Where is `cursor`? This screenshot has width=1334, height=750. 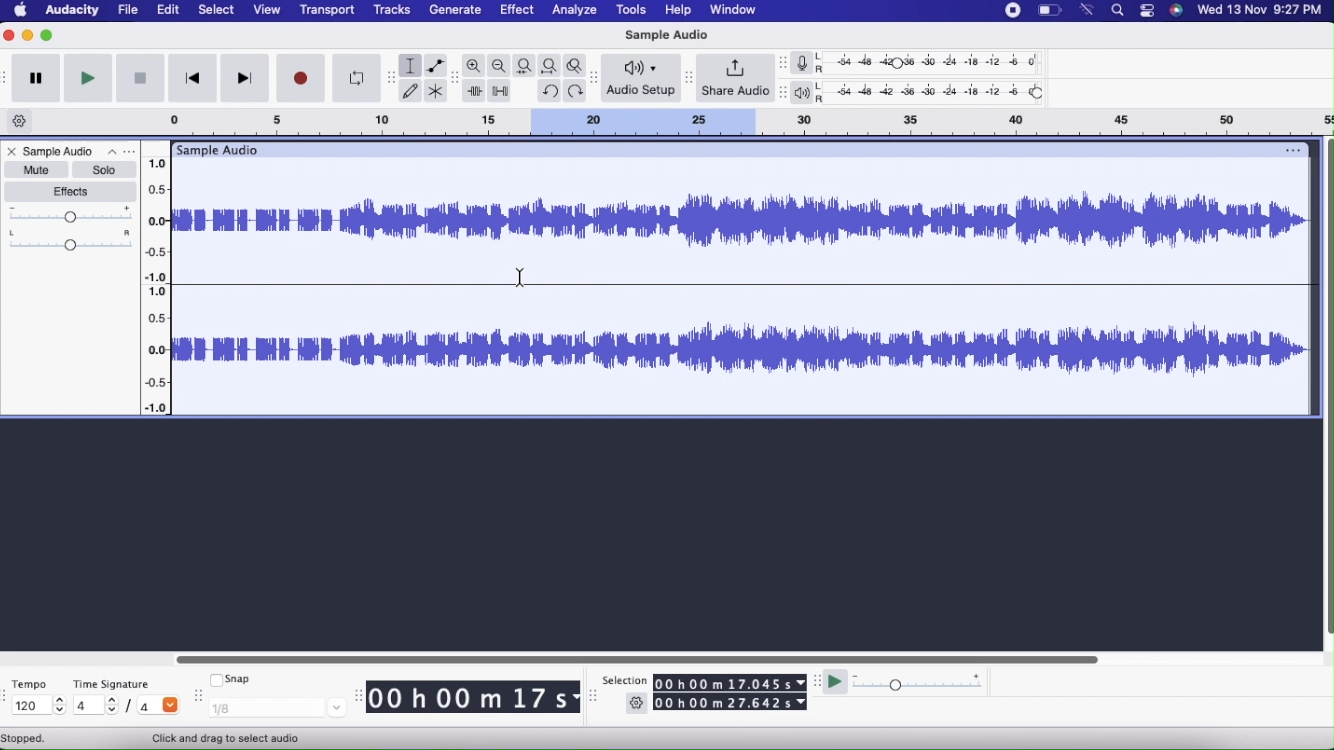
cursor is located at coordinates (519, 277).